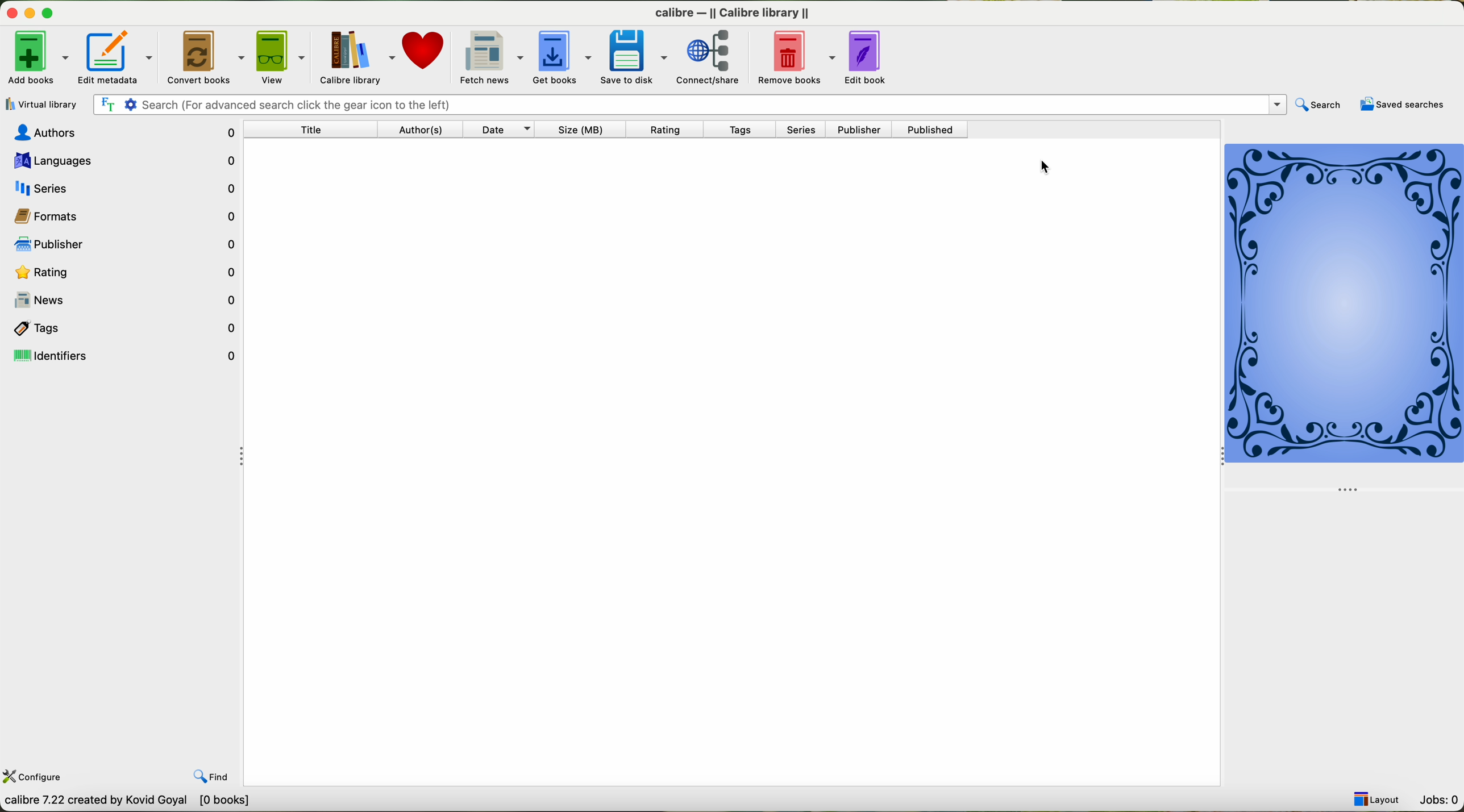  What do you see at coordinates (1054, 168) in the screenshot?
I see `mouse` at bounding box center [1054, 168].